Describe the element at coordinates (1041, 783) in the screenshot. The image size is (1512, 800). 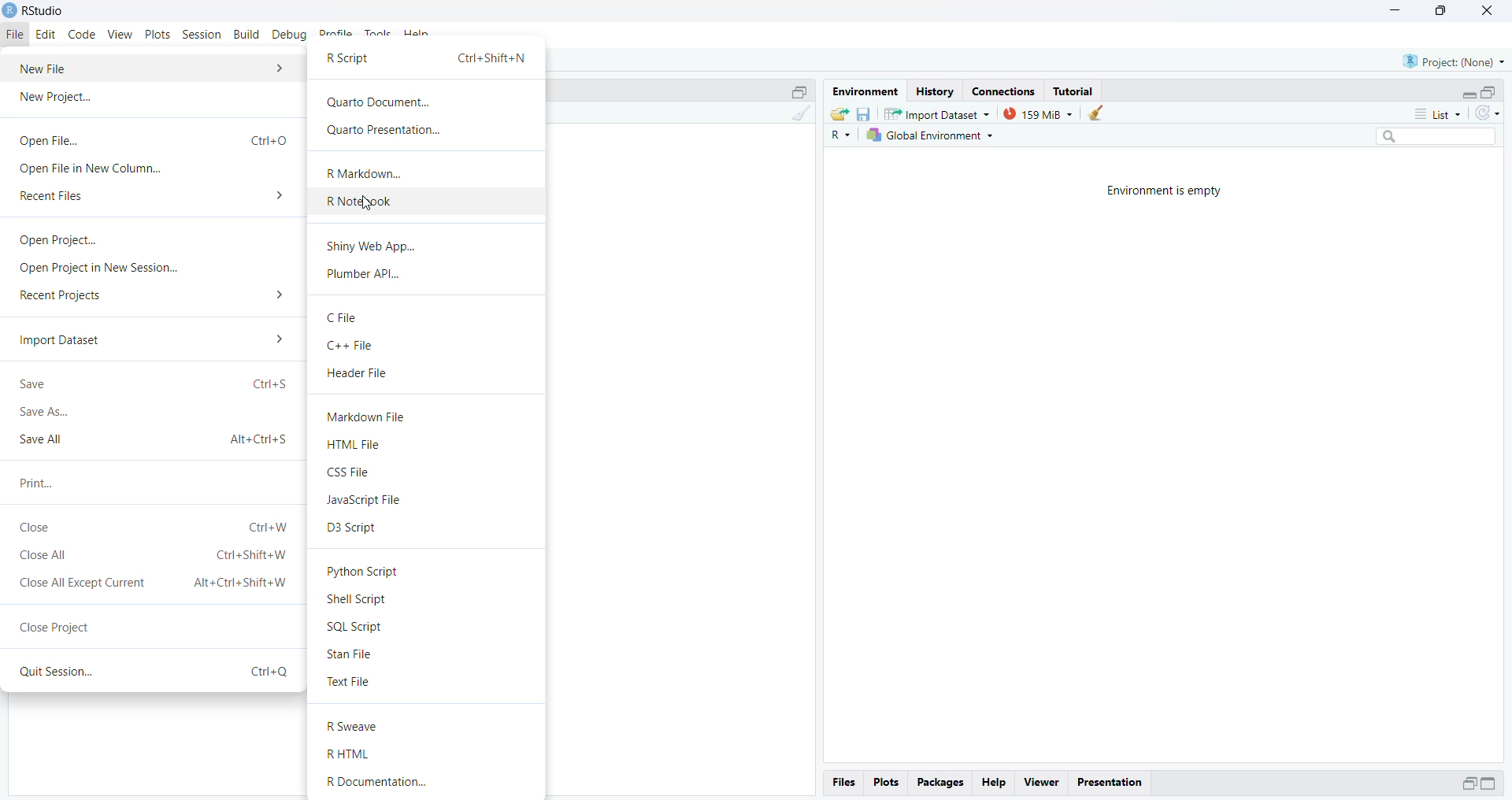
I see `viewer` at that location.